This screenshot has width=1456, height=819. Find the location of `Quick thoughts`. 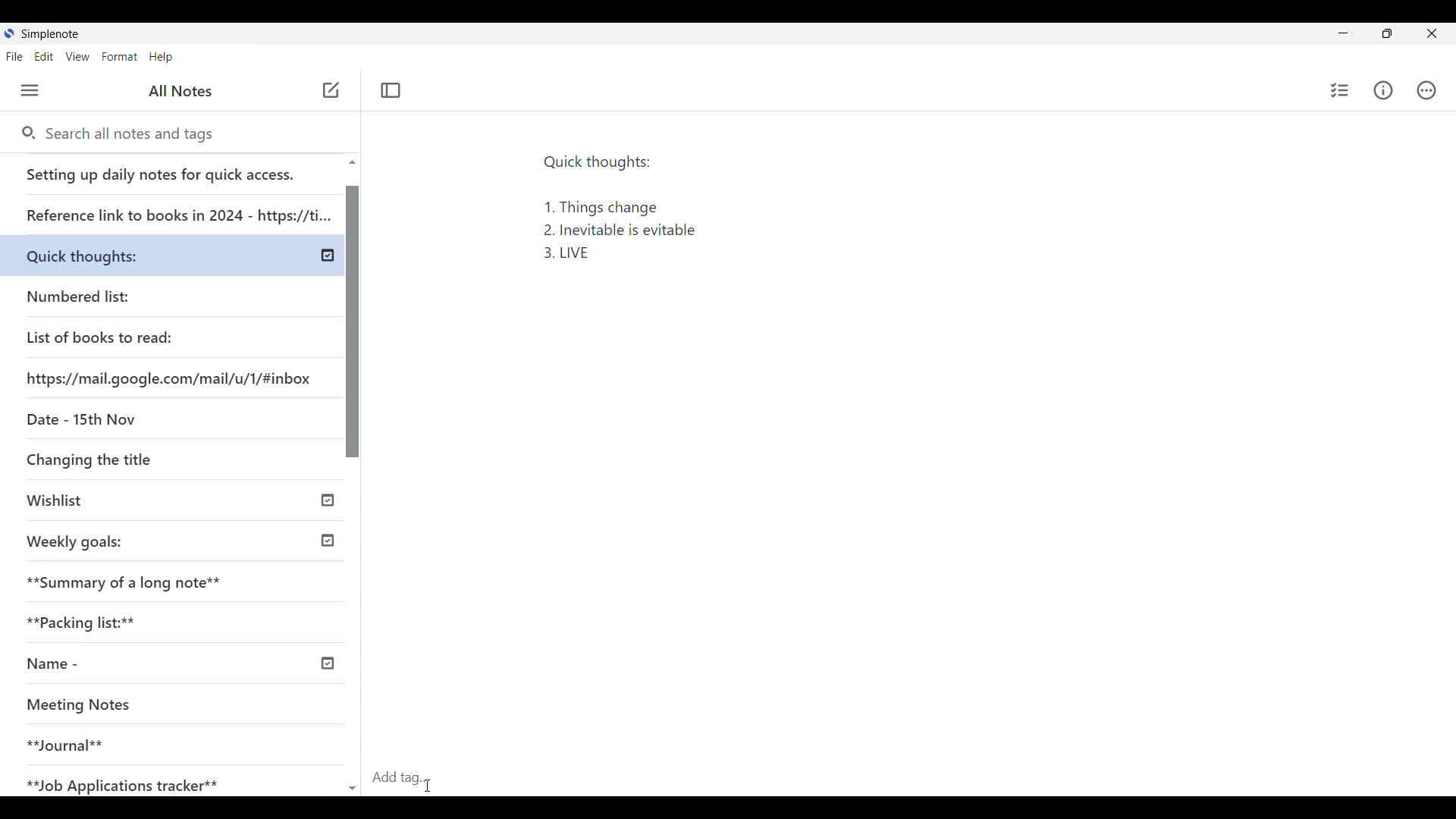

Quick thoughts is located at coordinates (118, 253).